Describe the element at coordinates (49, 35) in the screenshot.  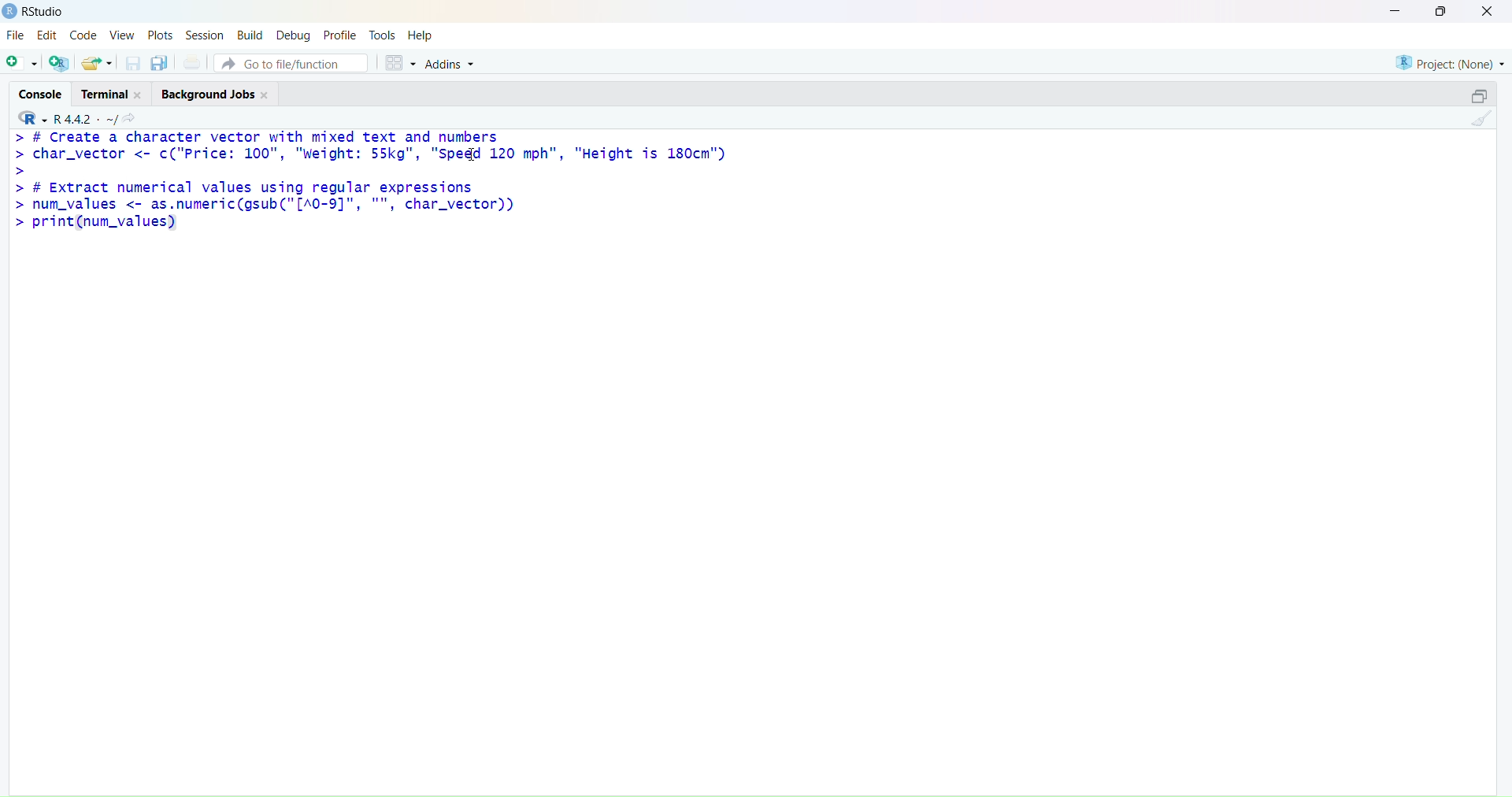
I see `edit` at that location.